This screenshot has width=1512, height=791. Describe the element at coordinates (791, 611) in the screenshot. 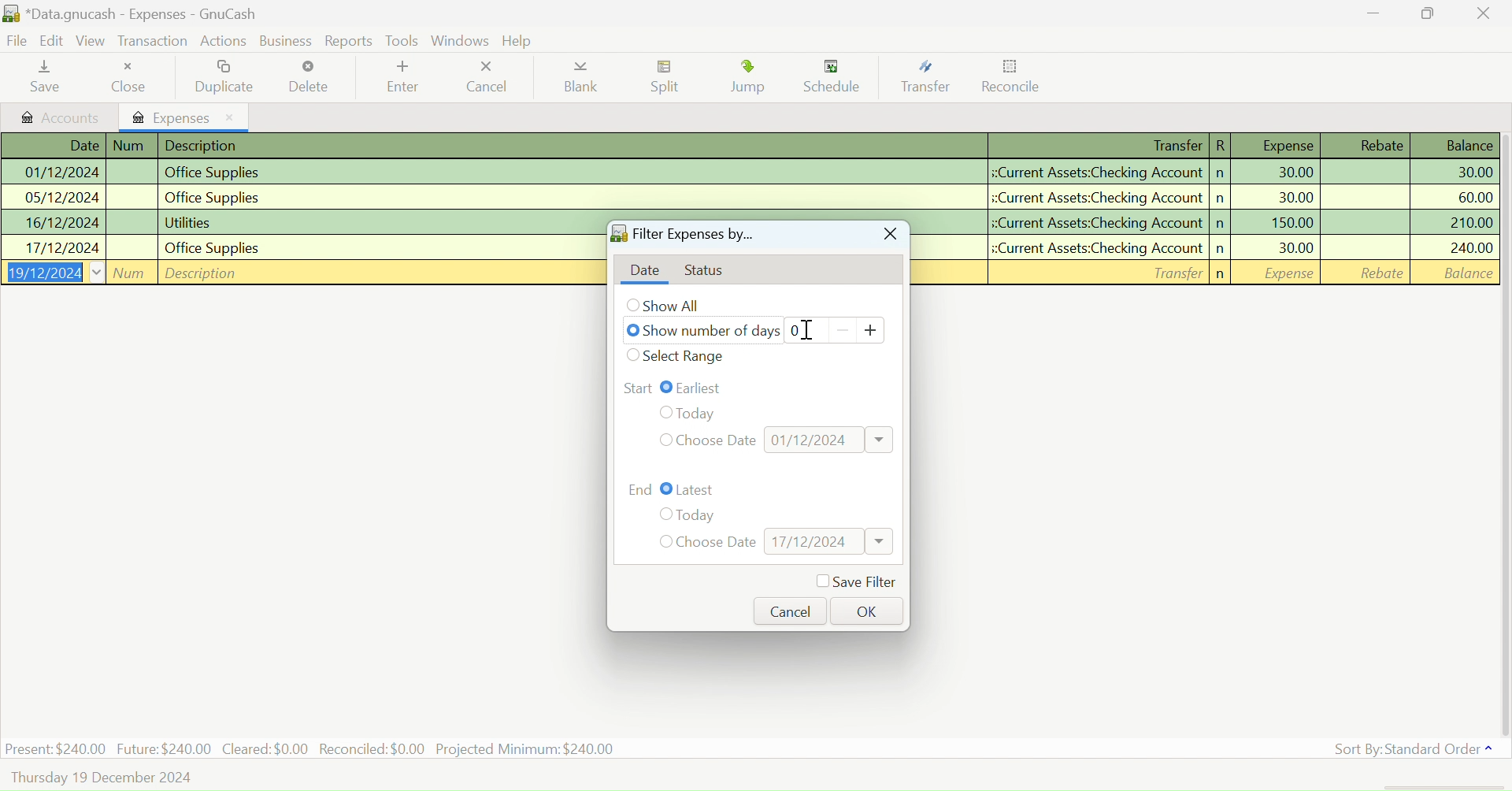

I see `Cancel` at that location.